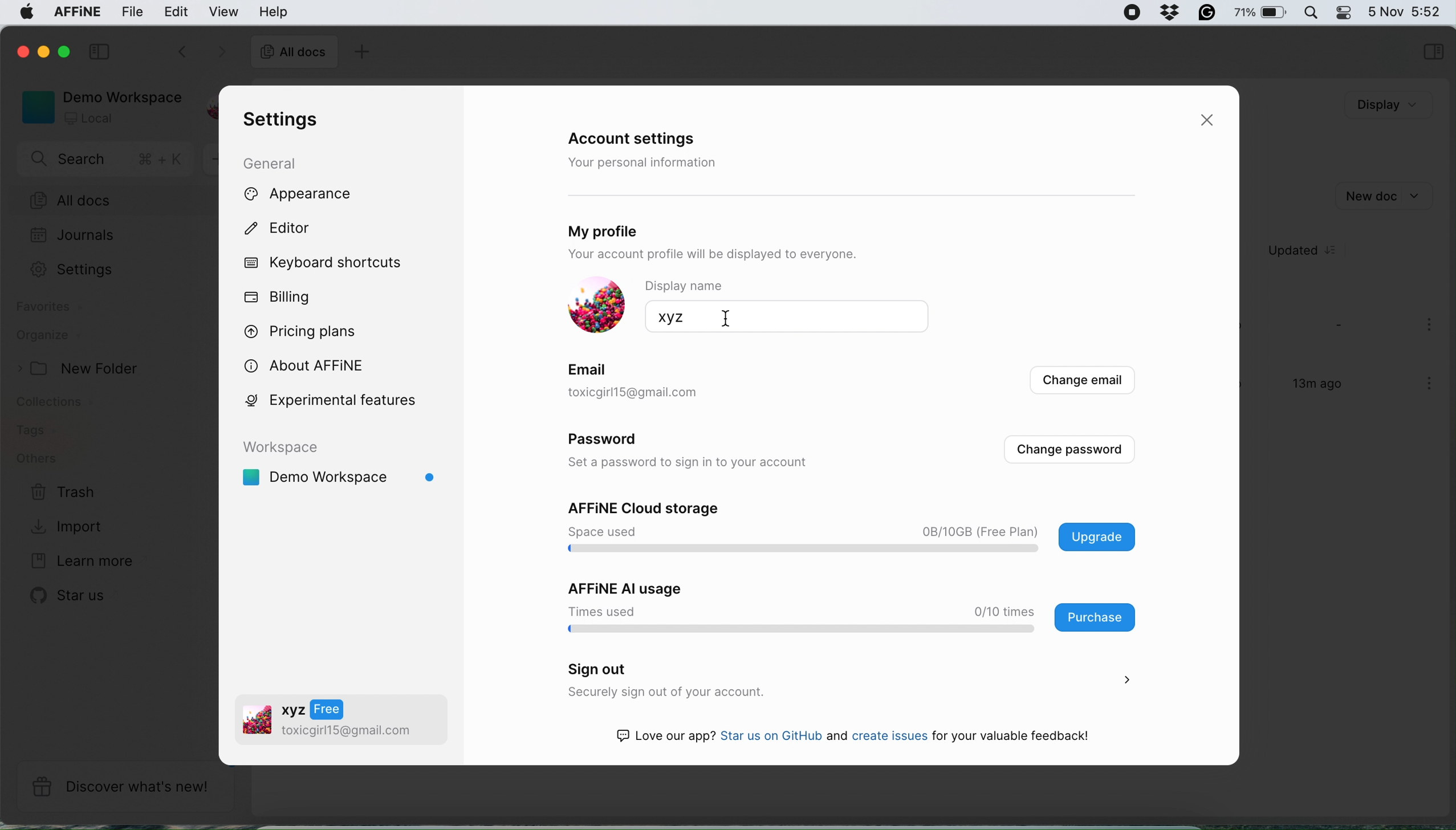 The image size is (1456, 830). Describe the element at coordinates (294, 54) in the screenshot. I see `all docs` at that location.